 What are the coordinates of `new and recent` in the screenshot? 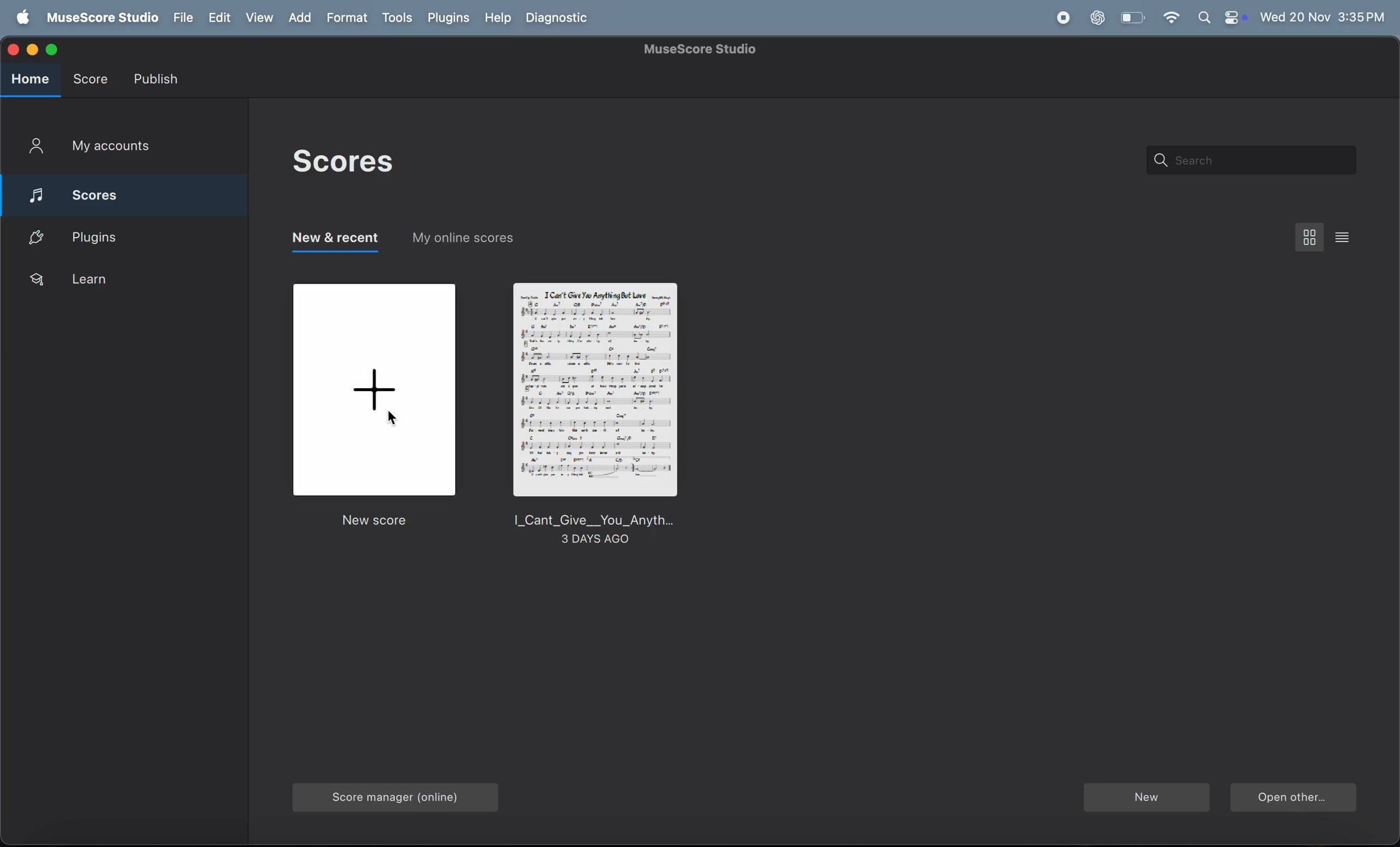 It's located at (334, 242).